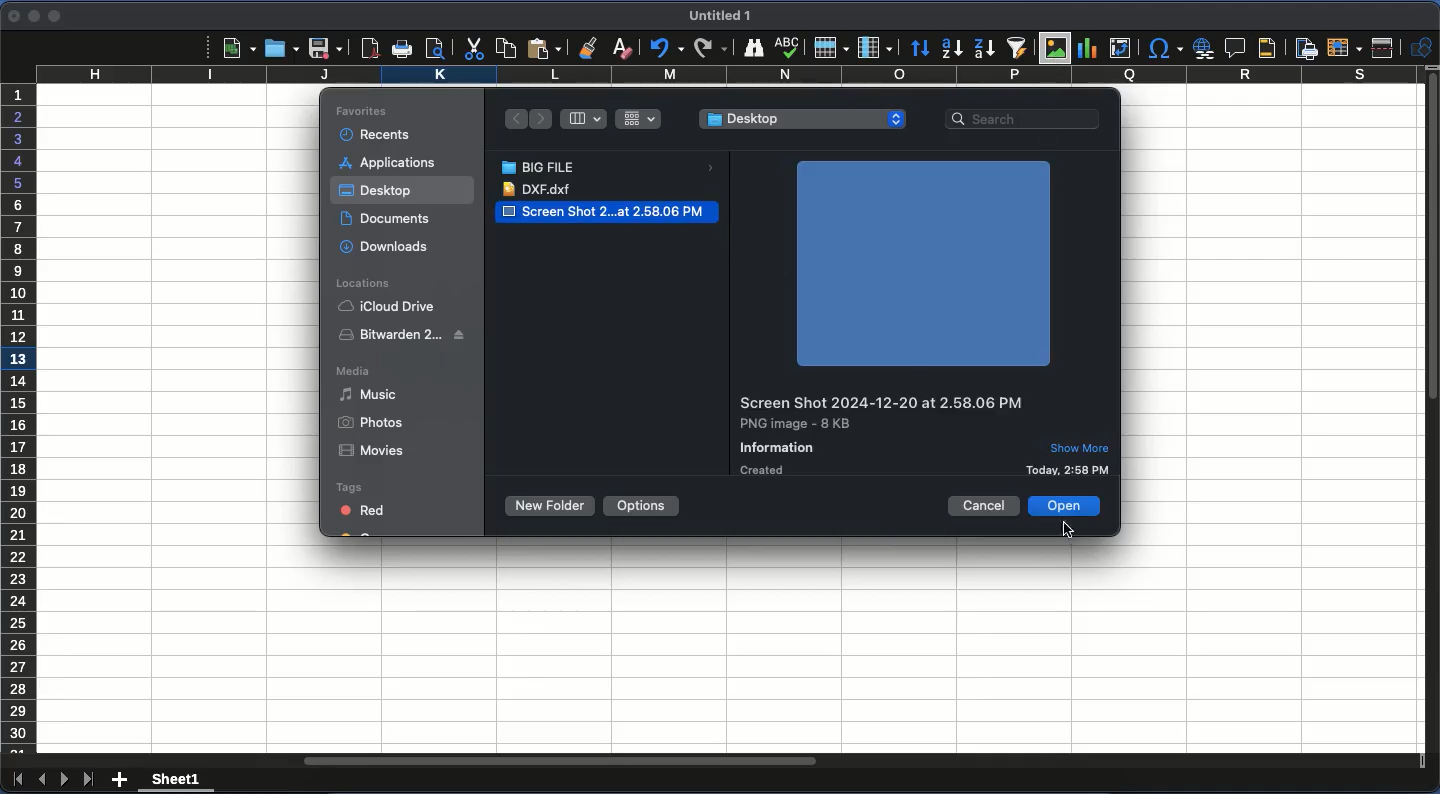 This screenshot has width=1440, height=794. What do you see at coordinates (1072, 528) in the screenshot?
I see `click` at bounding box center [1072, 528].